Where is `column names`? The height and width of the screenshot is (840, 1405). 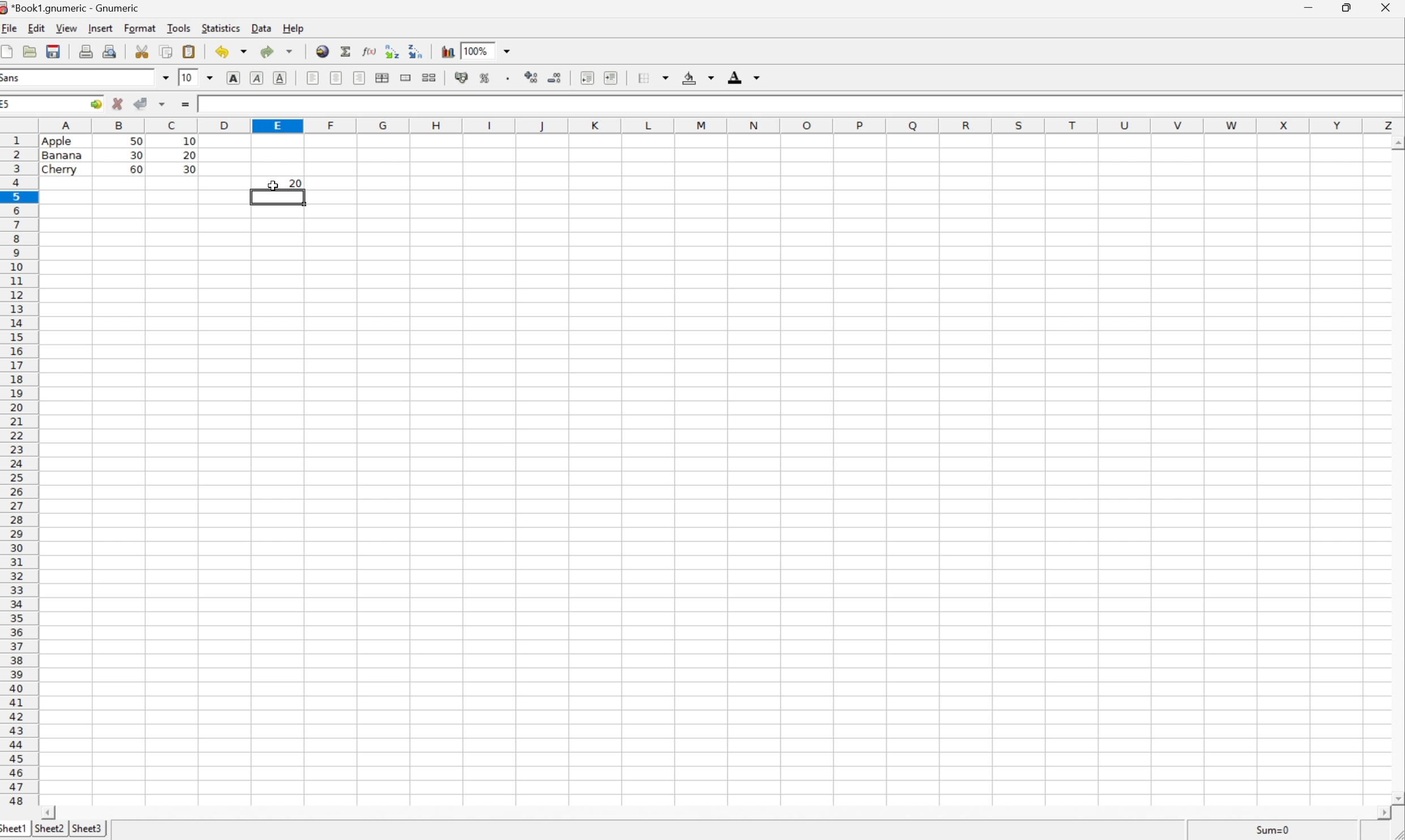 column names is located at coordinates (716, 126).